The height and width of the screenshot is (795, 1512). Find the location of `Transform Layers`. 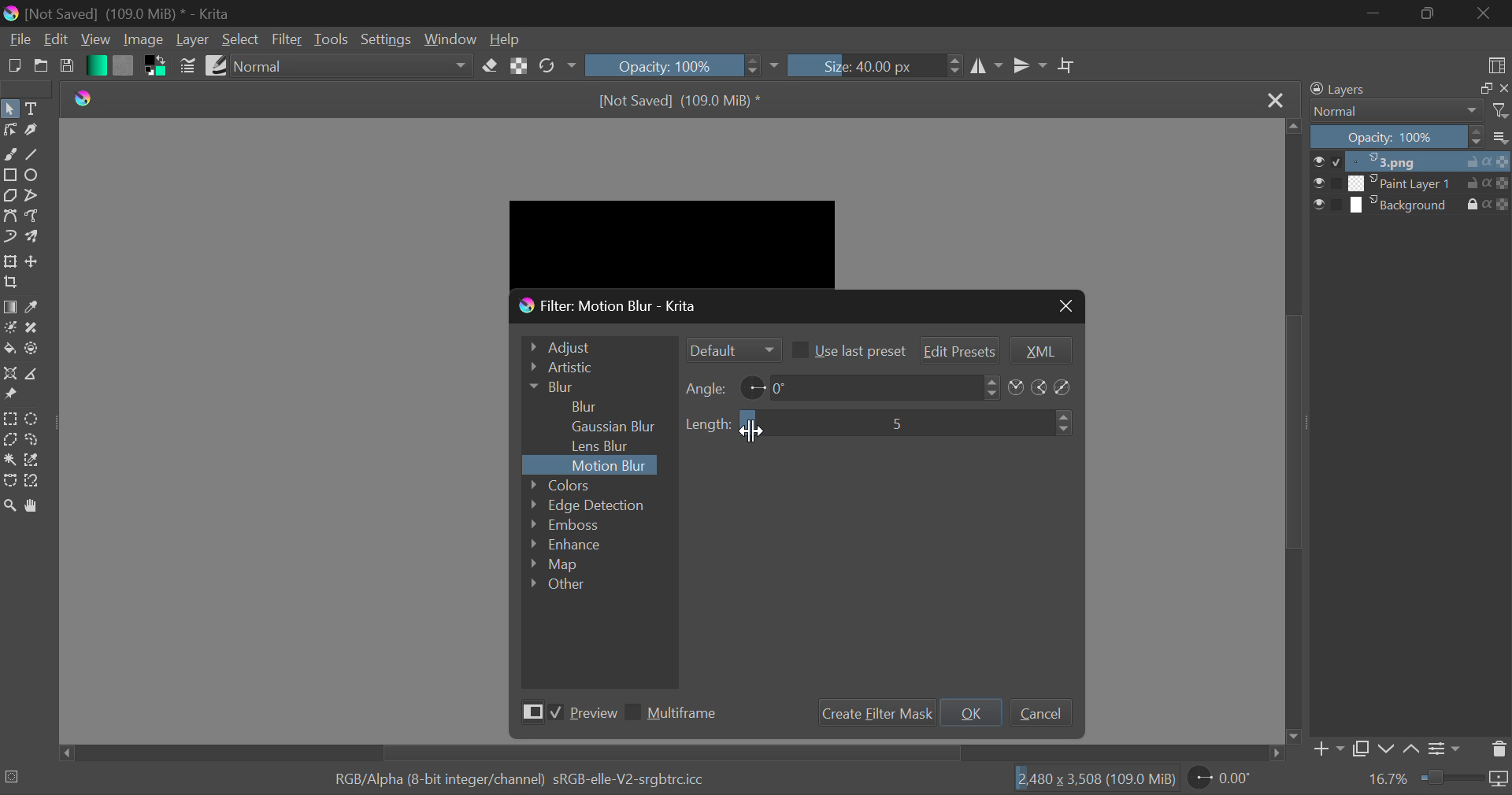

Transform Layers is located at coordinates (10, 262).